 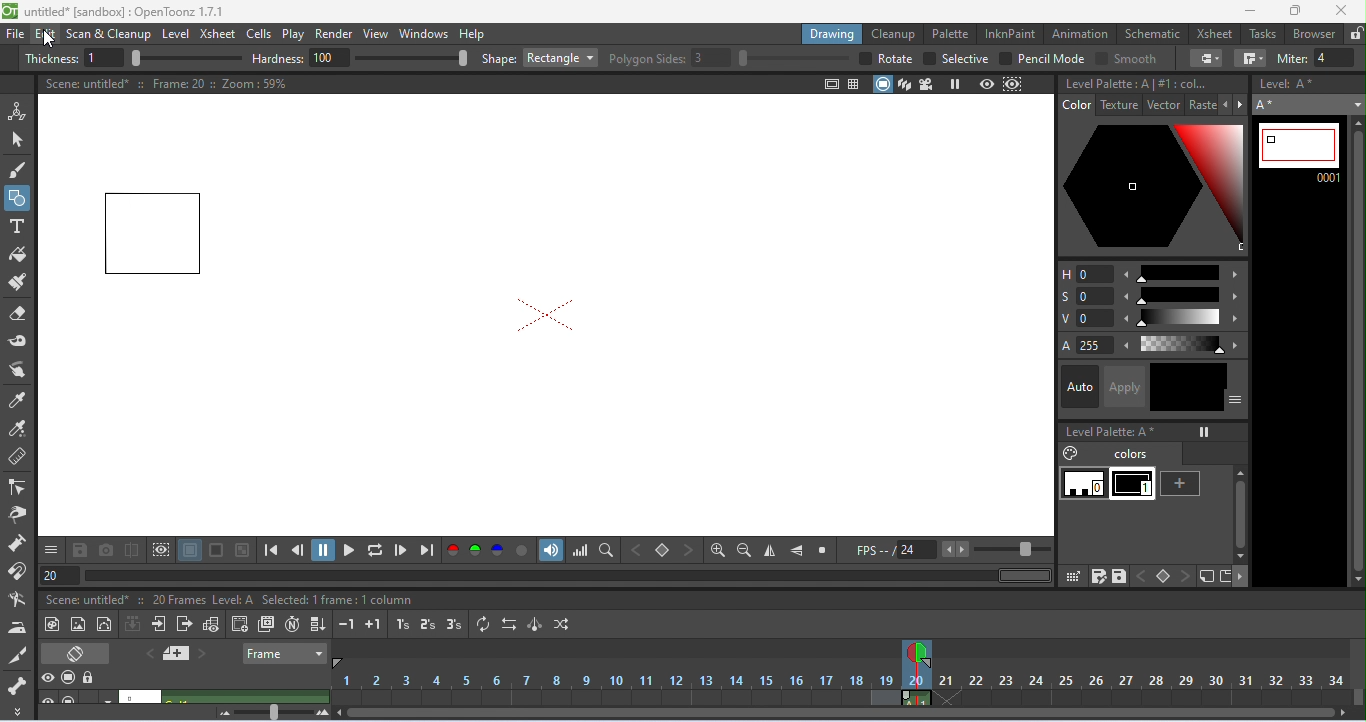 What do you see at coordinates (1130, 387) in the screenshot?
I see `apply` at bounding box center [1130, 387].